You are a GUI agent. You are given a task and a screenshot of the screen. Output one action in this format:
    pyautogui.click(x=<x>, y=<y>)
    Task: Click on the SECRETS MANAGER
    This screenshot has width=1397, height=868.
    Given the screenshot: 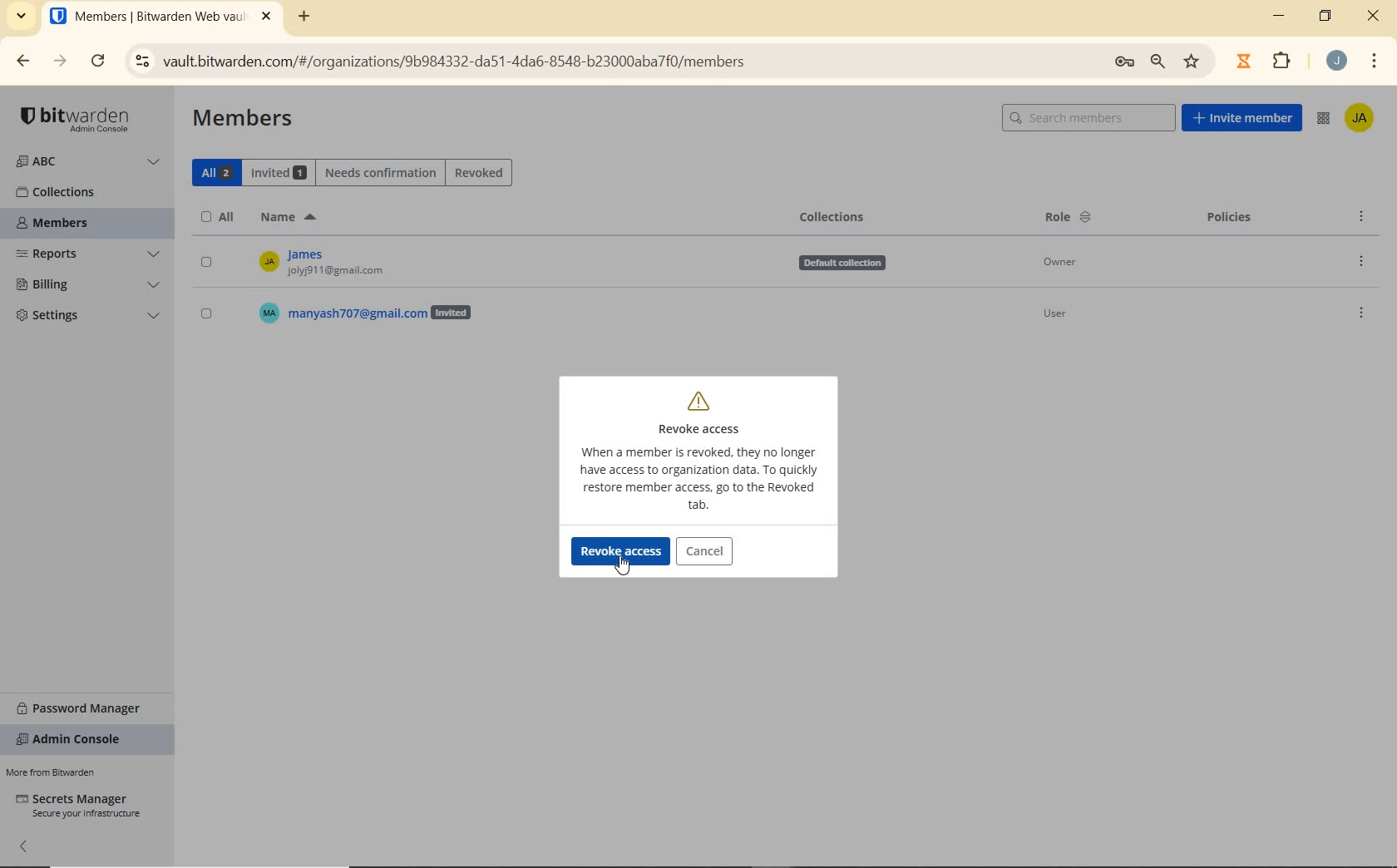 What is the action you would take?
    pyautogui.click(x=77, y=806)
    